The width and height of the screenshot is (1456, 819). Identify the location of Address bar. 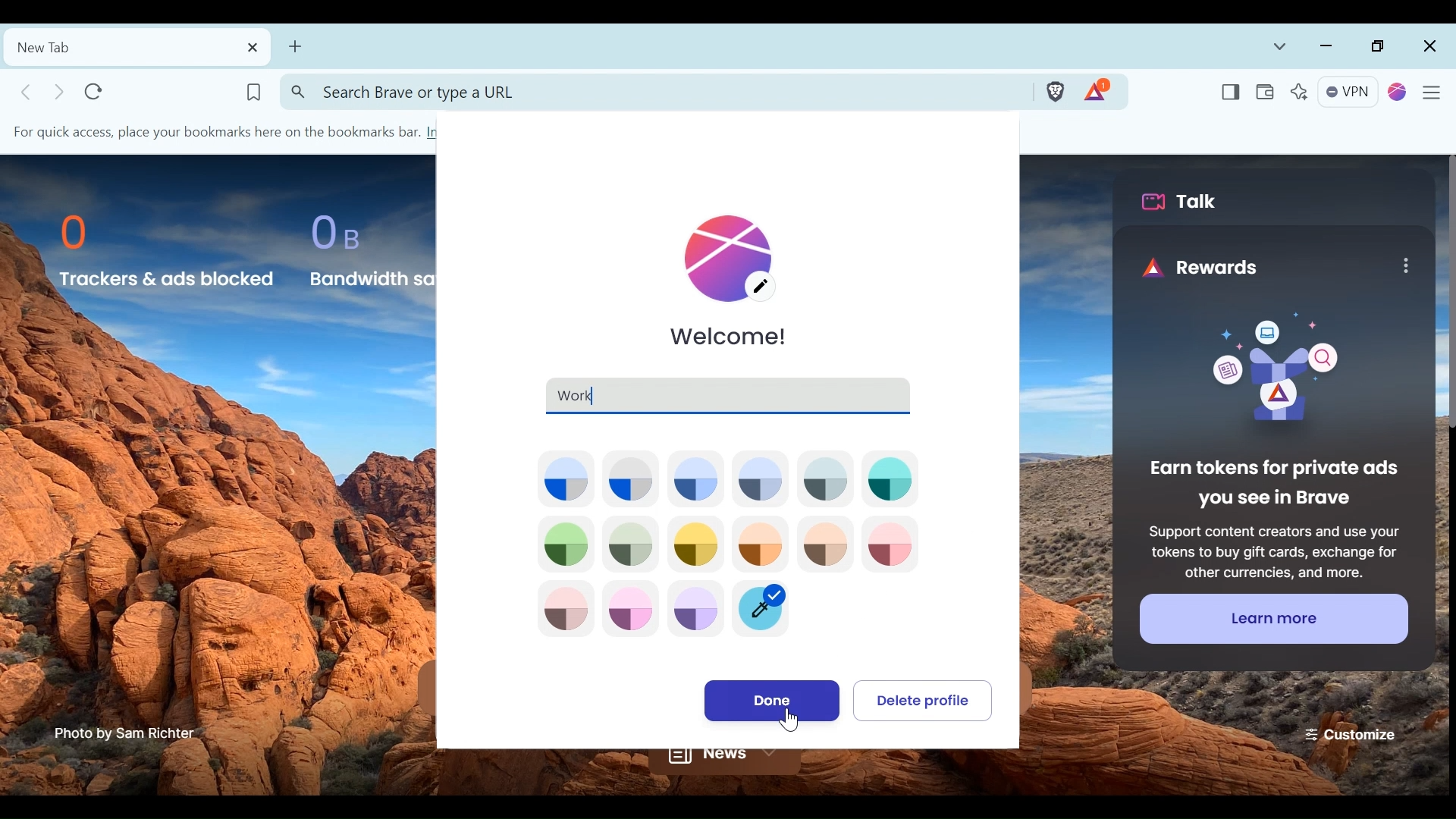
(653, 93).